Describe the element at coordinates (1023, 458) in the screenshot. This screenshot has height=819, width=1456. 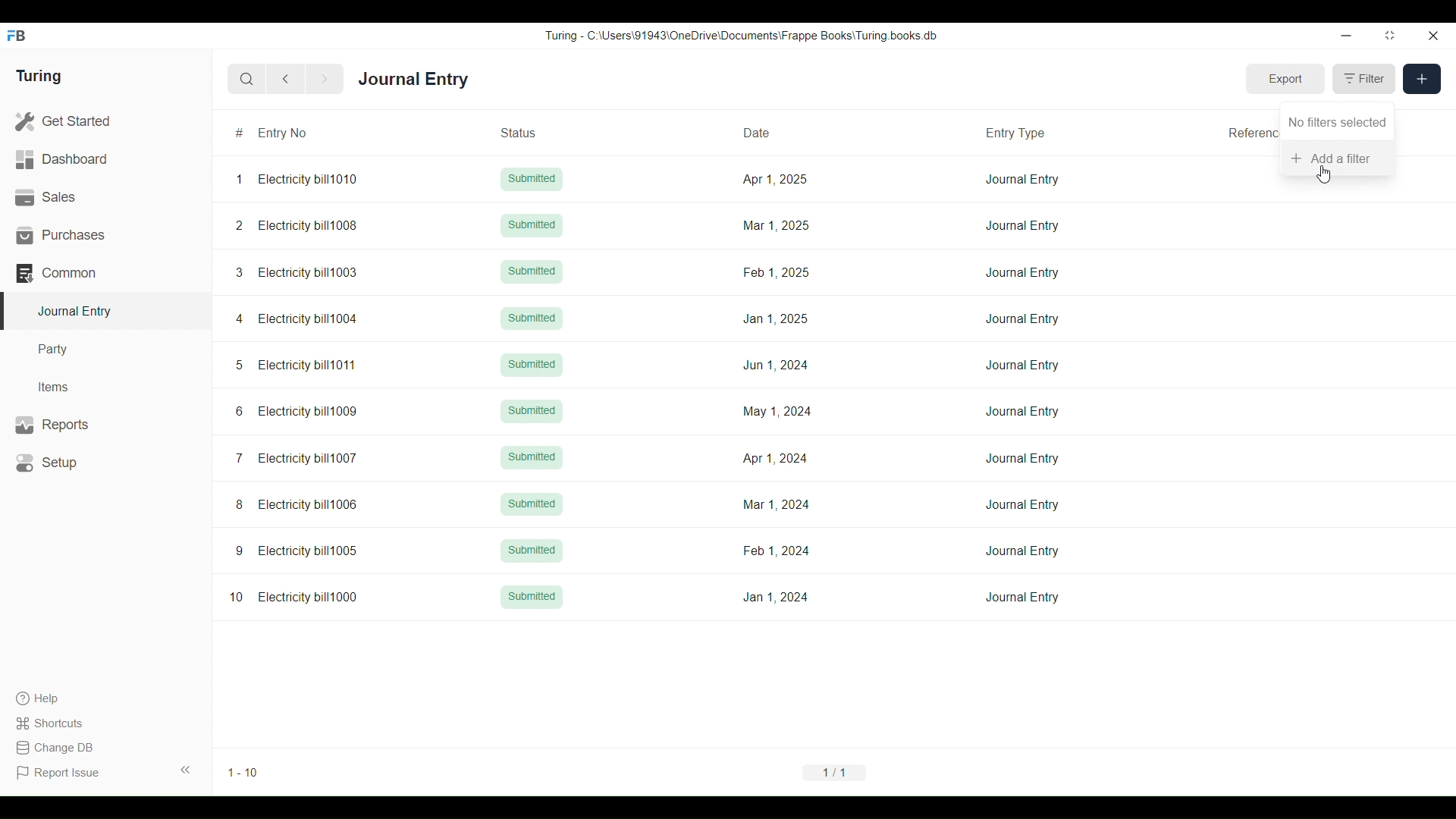
I see `Journal Entry` at that location.